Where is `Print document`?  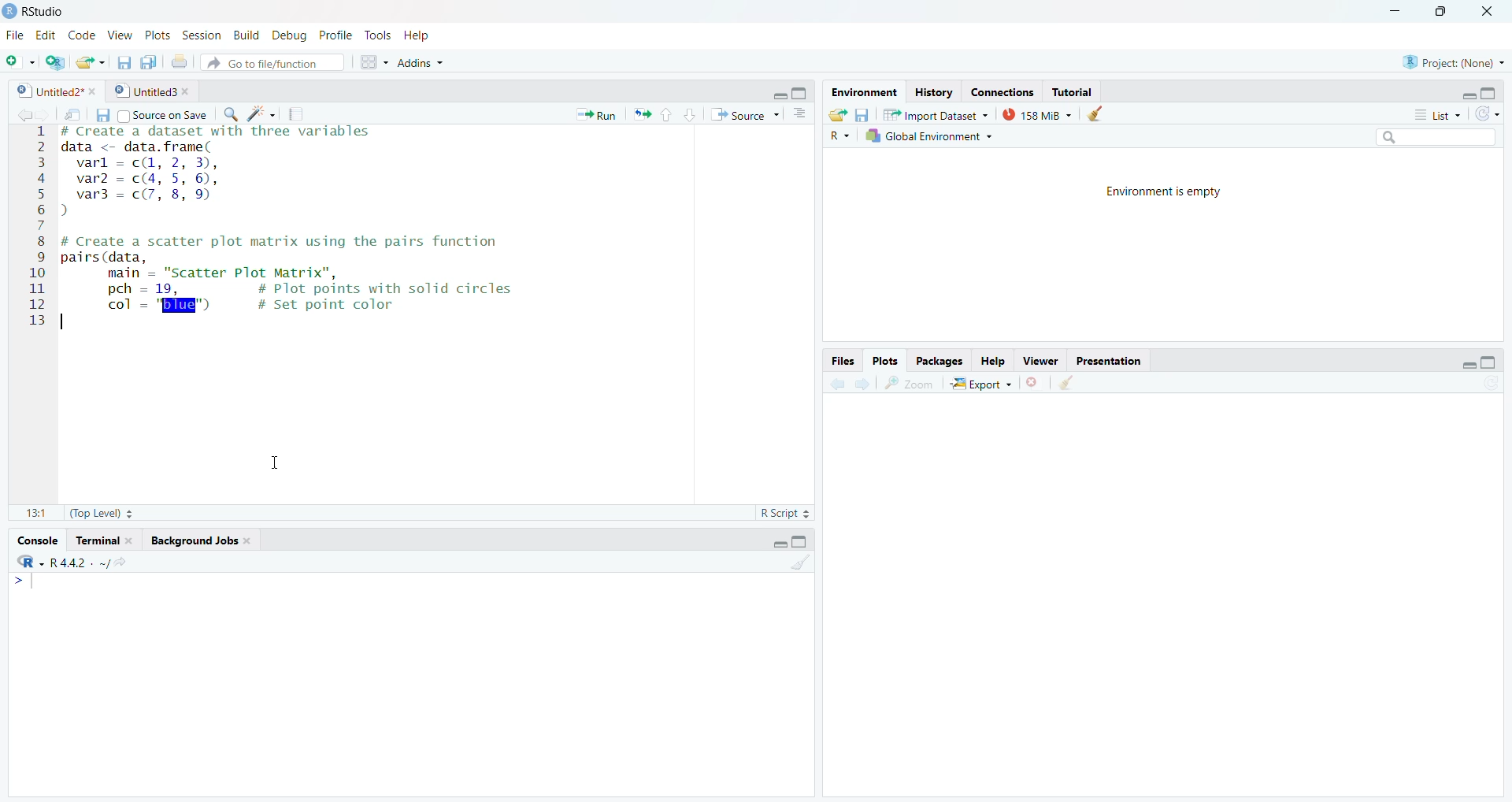
Print document is located at coordinates (180, 61).